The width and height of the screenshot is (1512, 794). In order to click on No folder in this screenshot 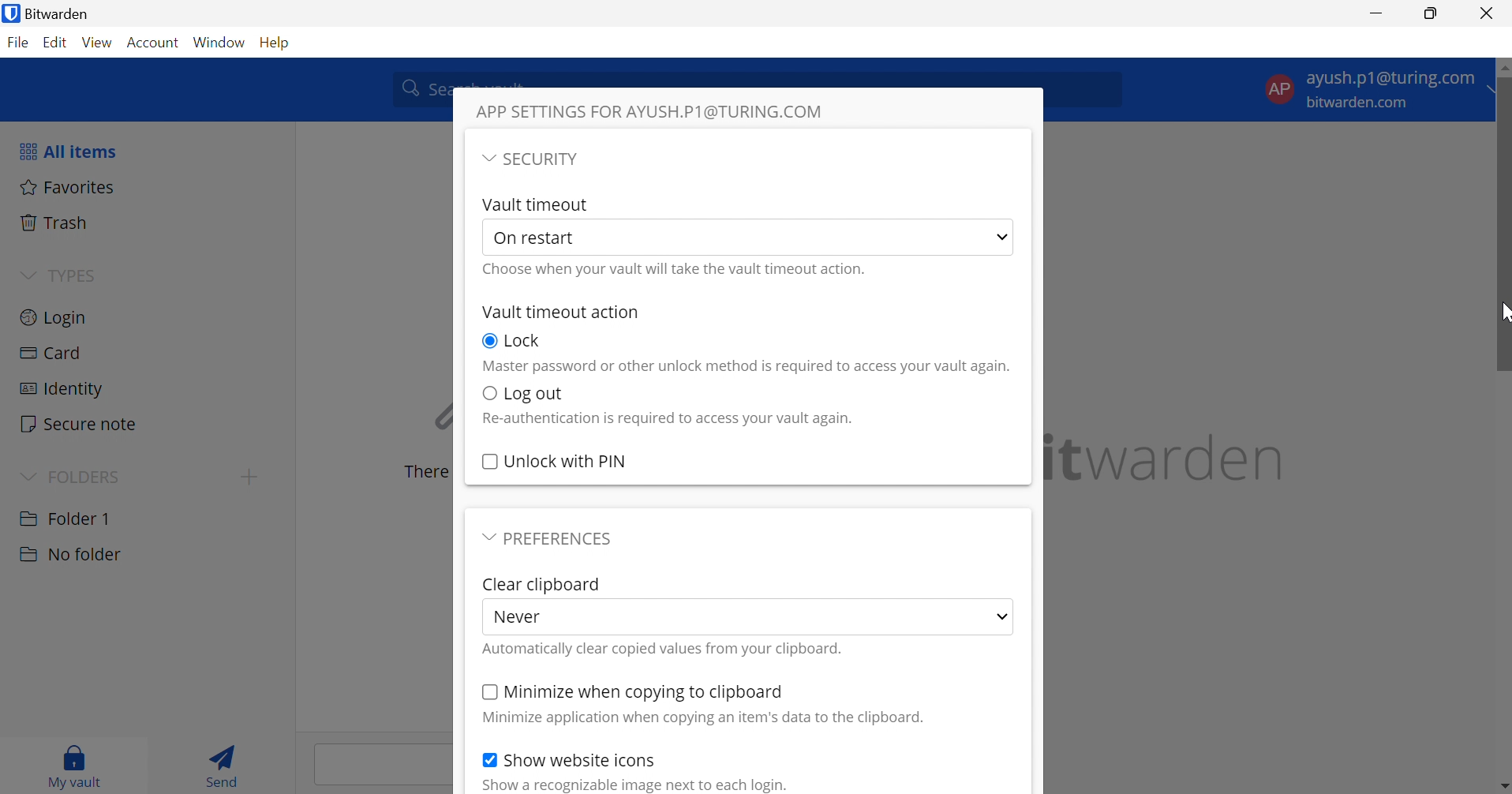, I will do `click(69, 555)`.